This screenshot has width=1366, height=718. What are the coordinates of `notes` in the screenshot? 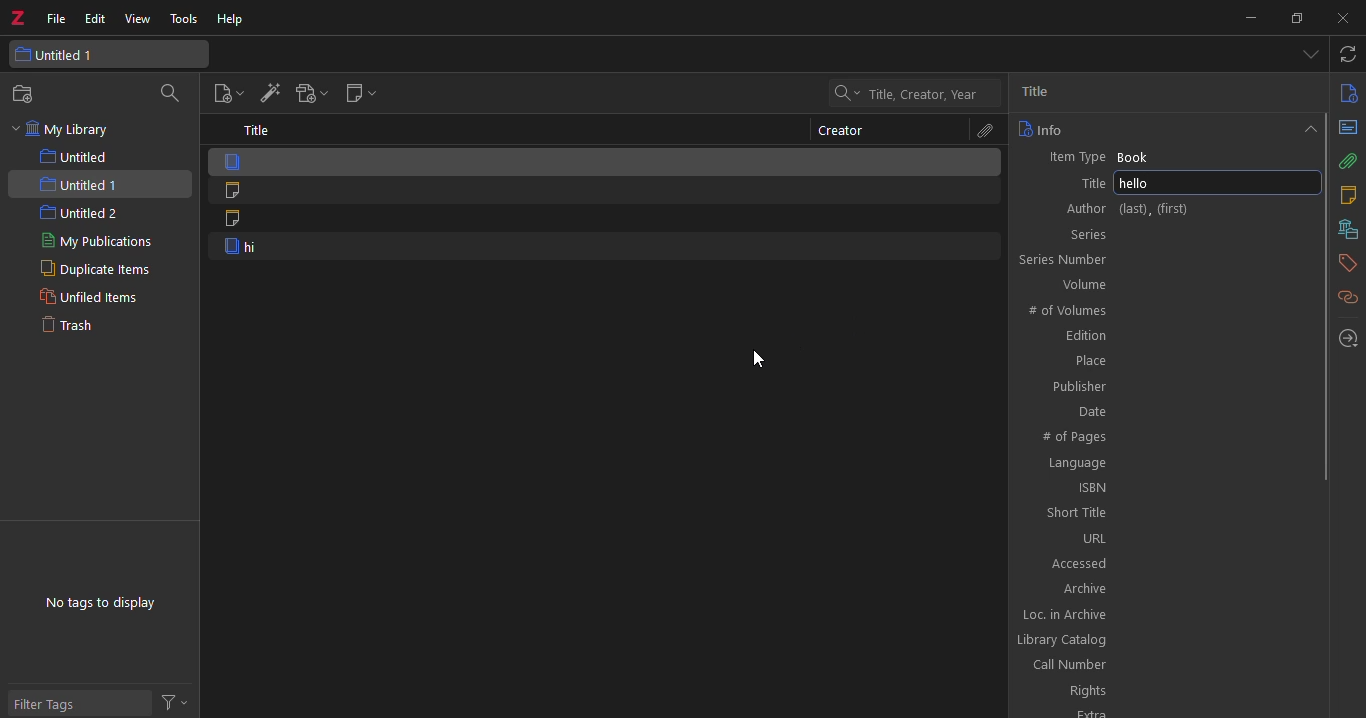 It's located at (1347, 195).